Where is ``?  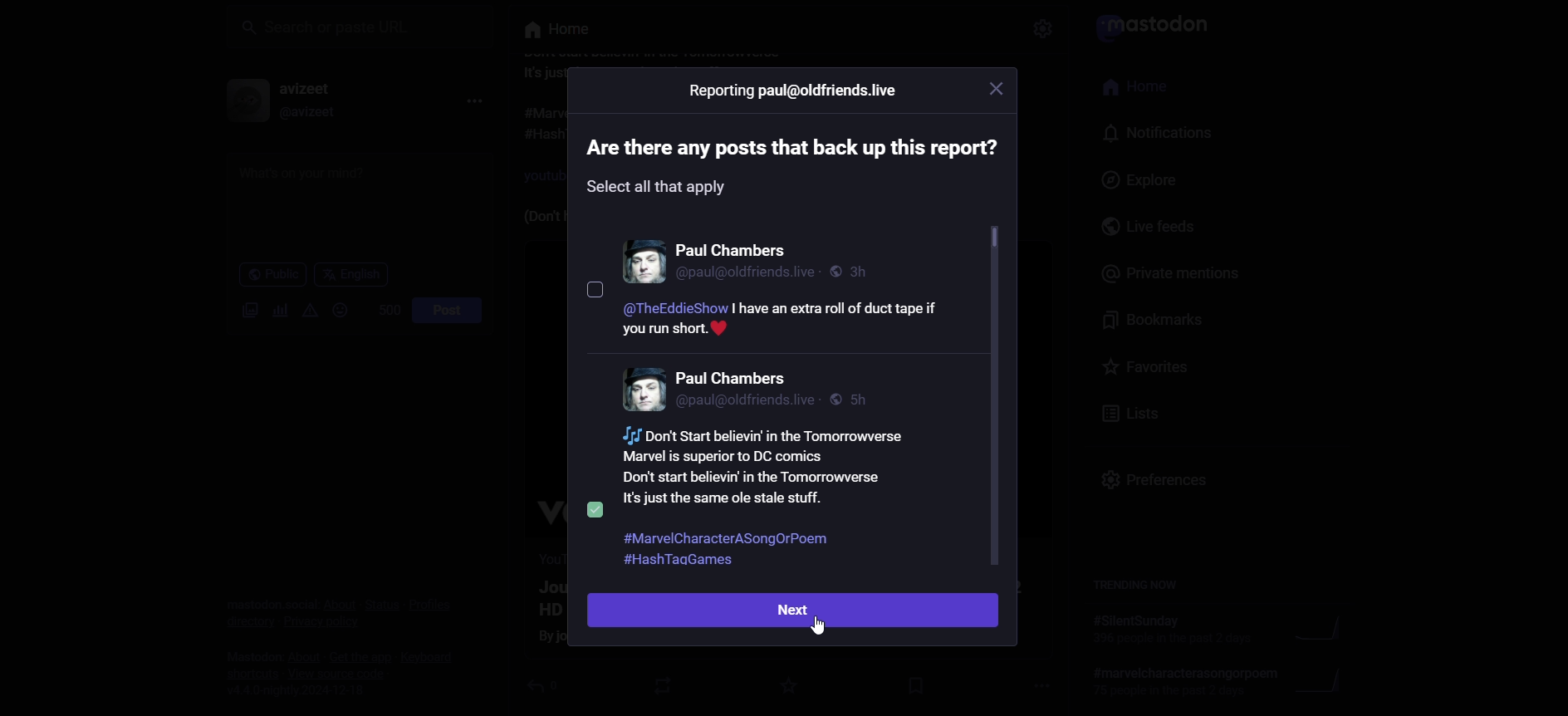  is located at coordinates (995, 90).